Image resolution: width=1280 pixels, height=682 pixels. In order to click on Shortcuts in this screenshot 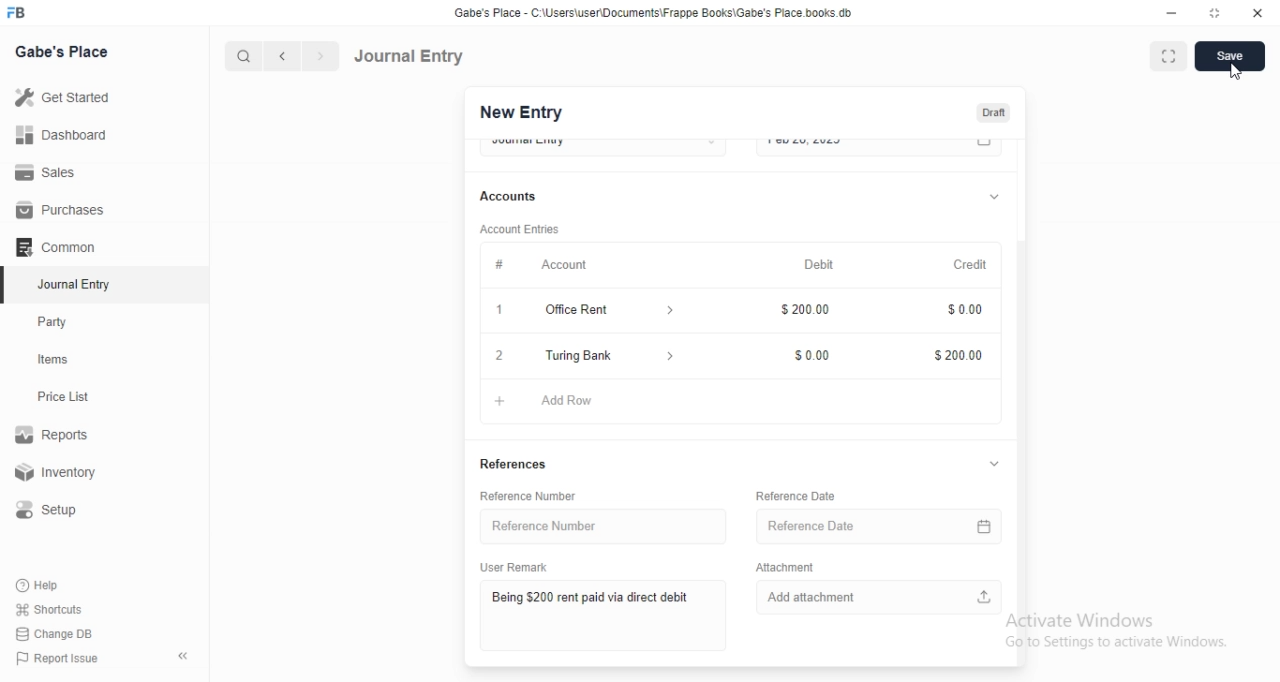, I will do `click(49, 608)`.